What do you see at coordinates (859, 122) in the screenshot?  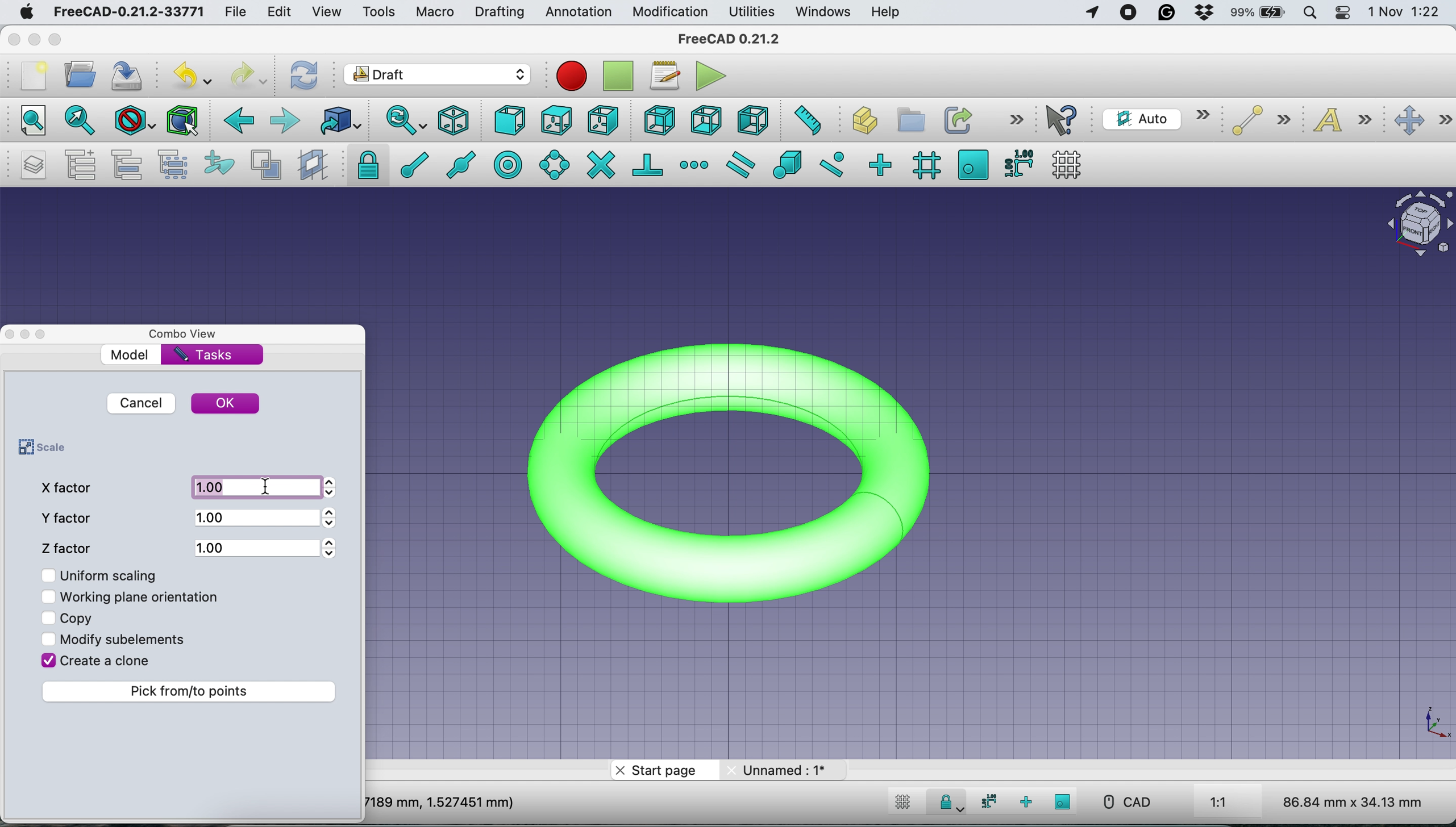 I see `create part` at bounding box center [859, 122].